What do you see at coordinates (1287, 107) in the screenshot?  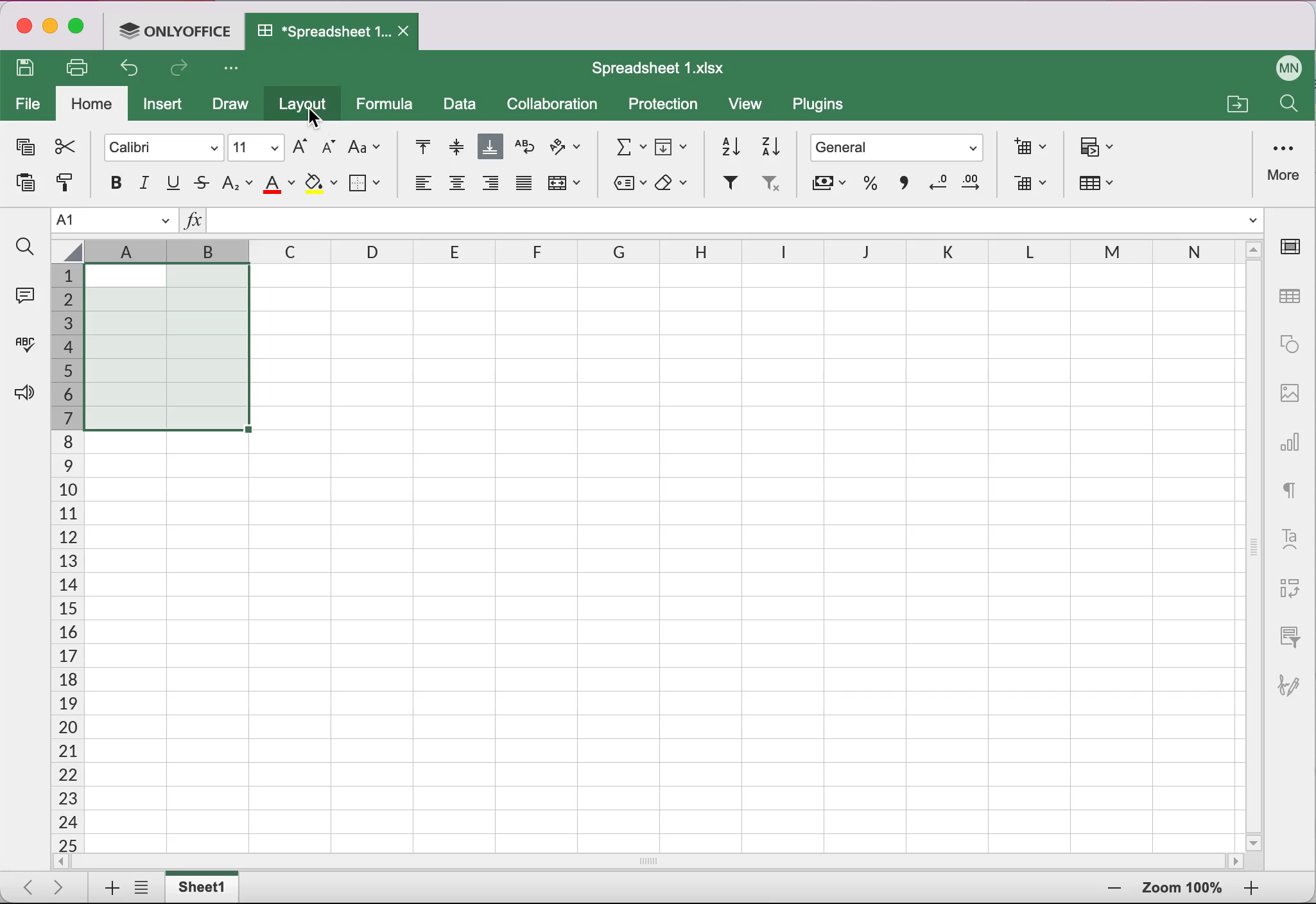 I see `Find` at bounding box center [1287, 107].